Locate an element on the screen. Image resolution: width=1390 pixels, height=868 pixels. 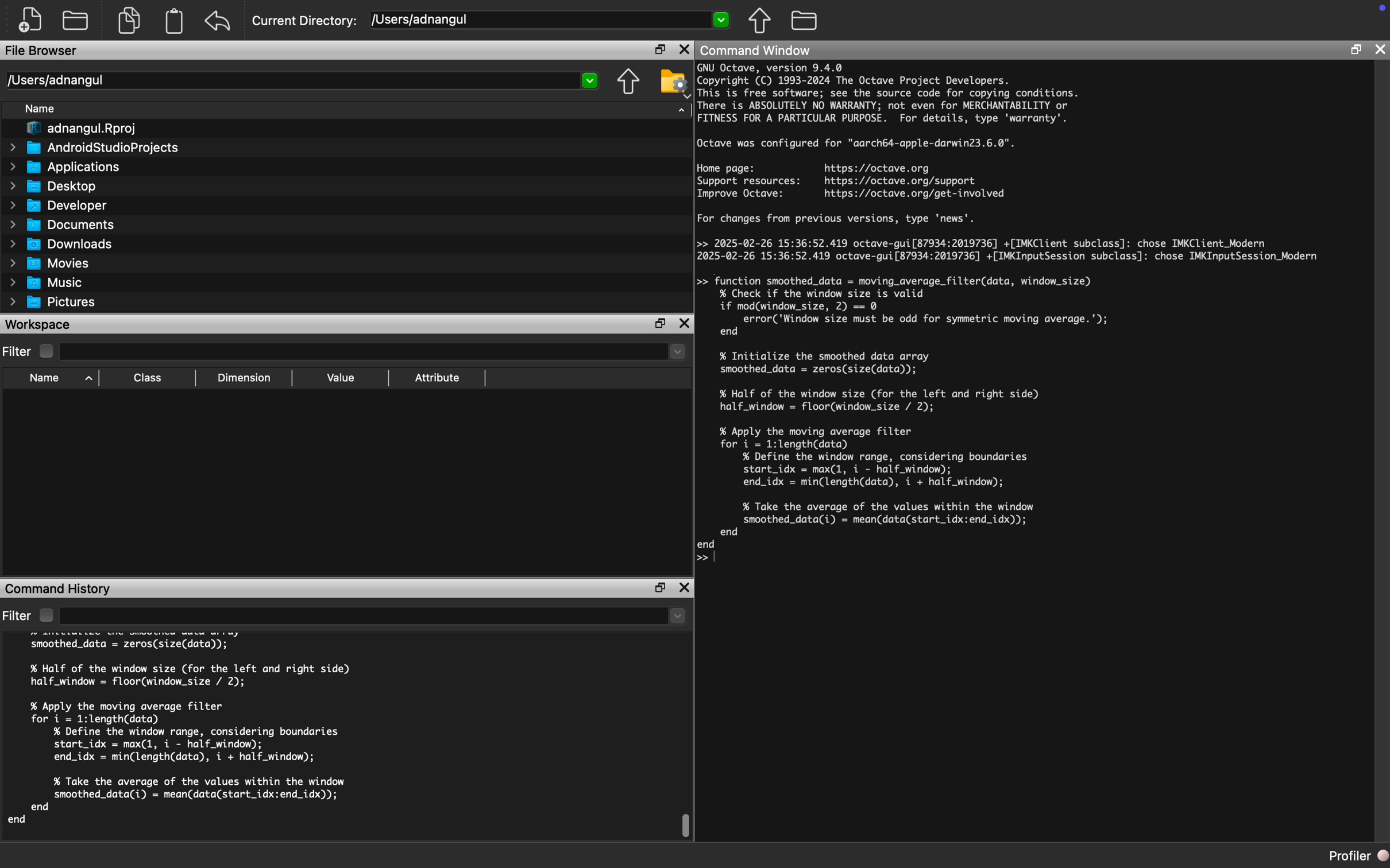
Clipboard is located at coordinates (176, 21).